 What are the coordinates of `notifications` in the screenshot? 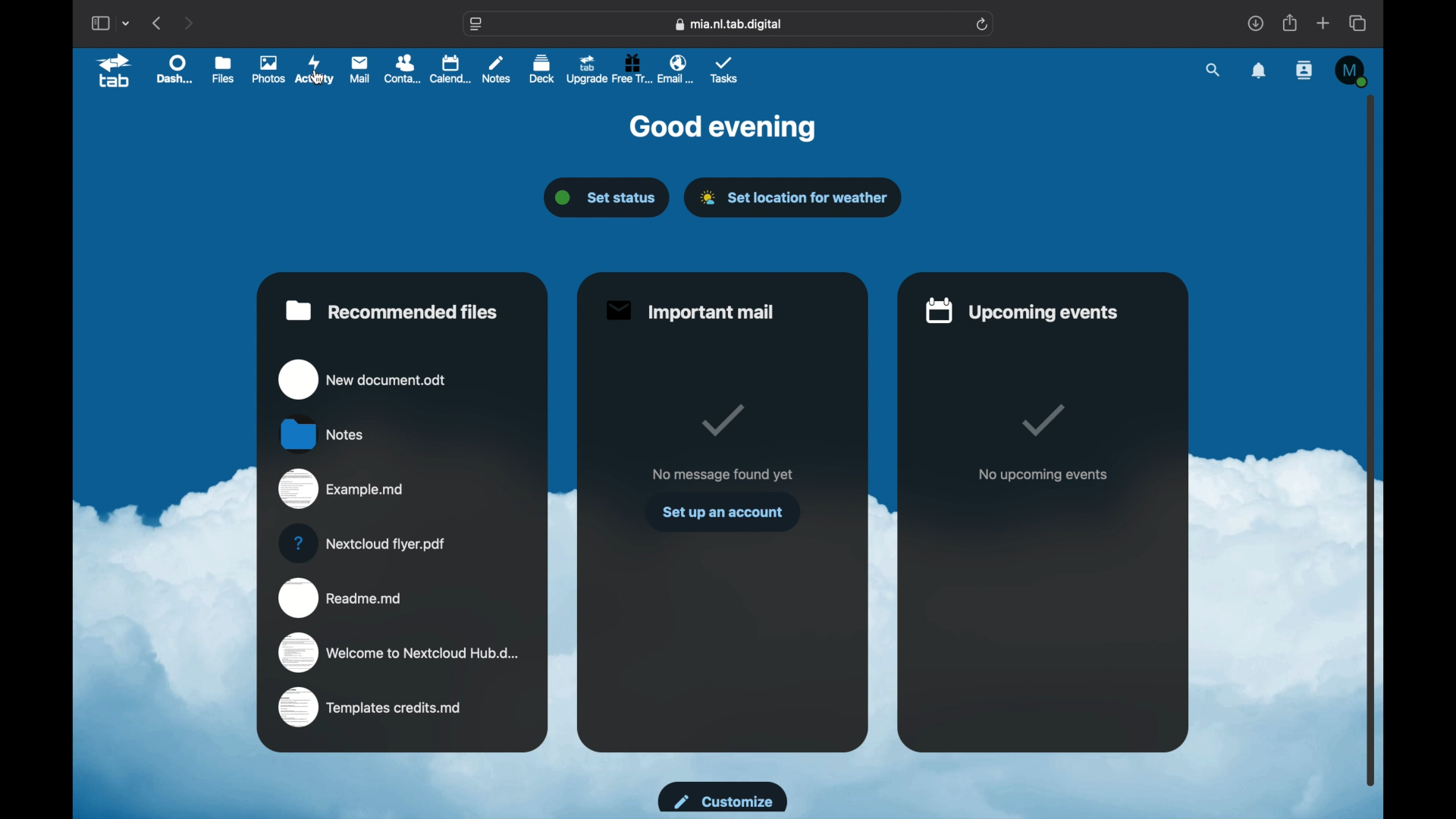 It's located at (1259, 70).